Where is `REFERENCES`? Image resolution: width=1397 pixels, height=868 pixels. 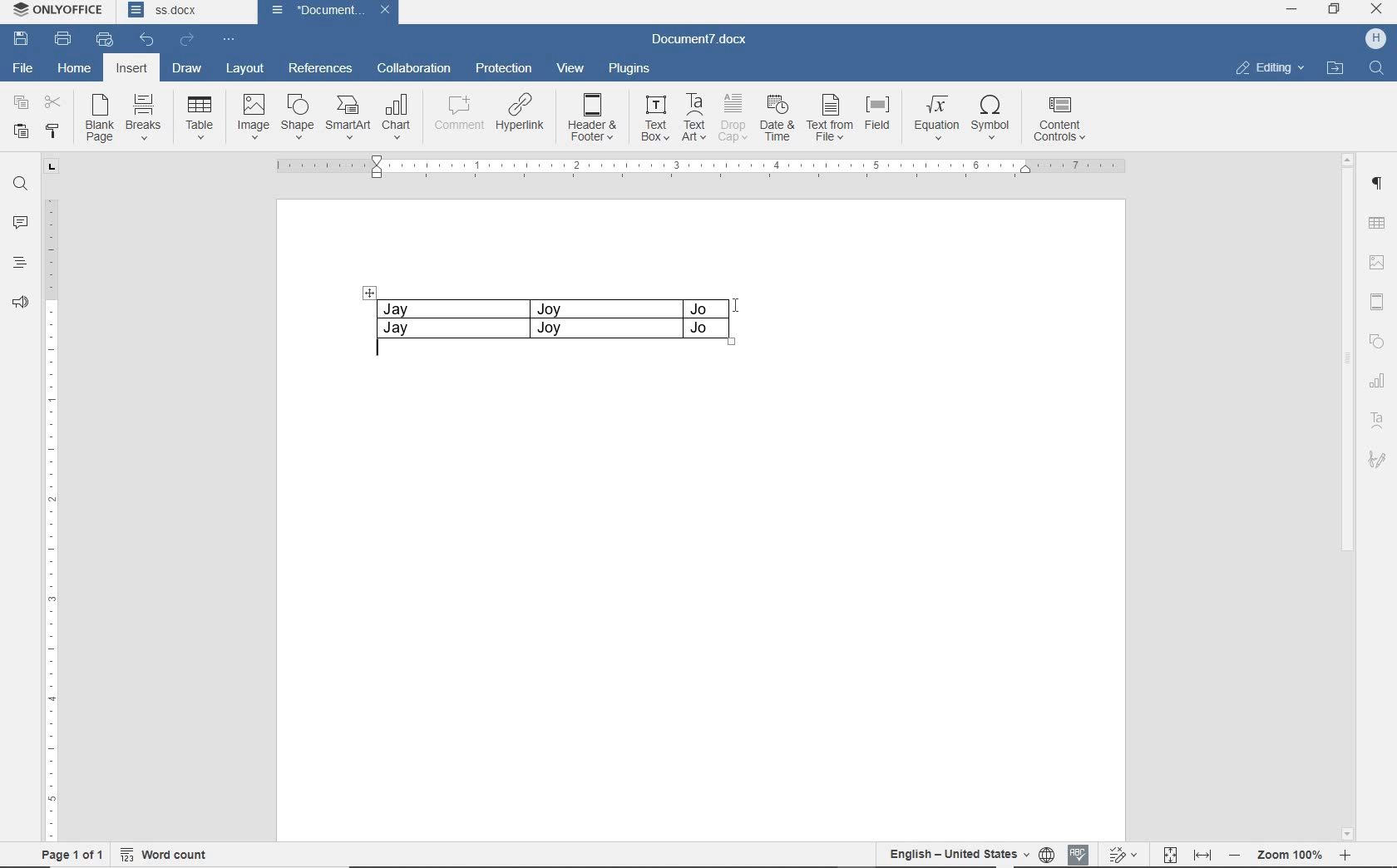
REFERENCES is located at coordinates (320, 68).